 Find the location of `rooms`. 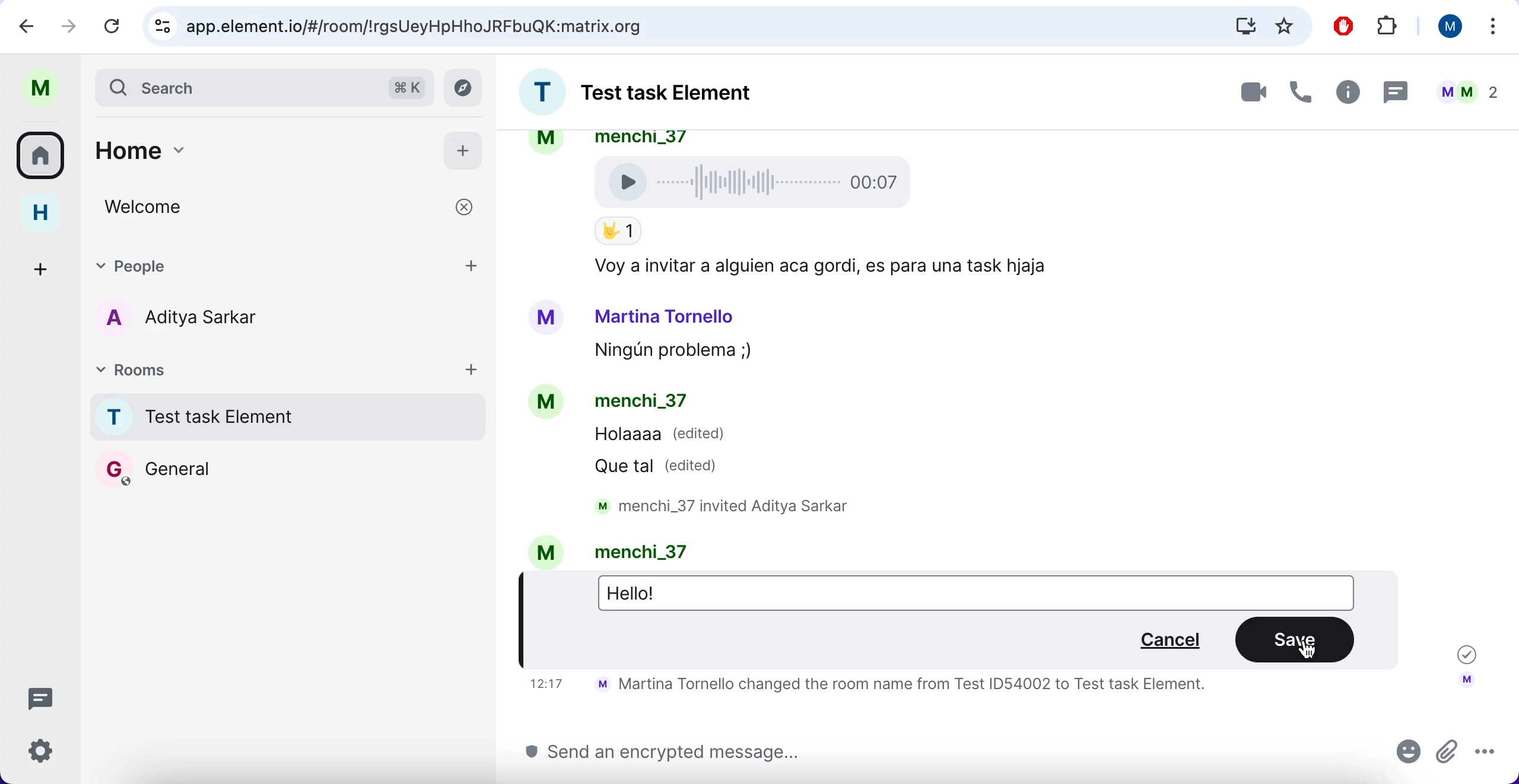

rooms is located at coordinates (271, 374).